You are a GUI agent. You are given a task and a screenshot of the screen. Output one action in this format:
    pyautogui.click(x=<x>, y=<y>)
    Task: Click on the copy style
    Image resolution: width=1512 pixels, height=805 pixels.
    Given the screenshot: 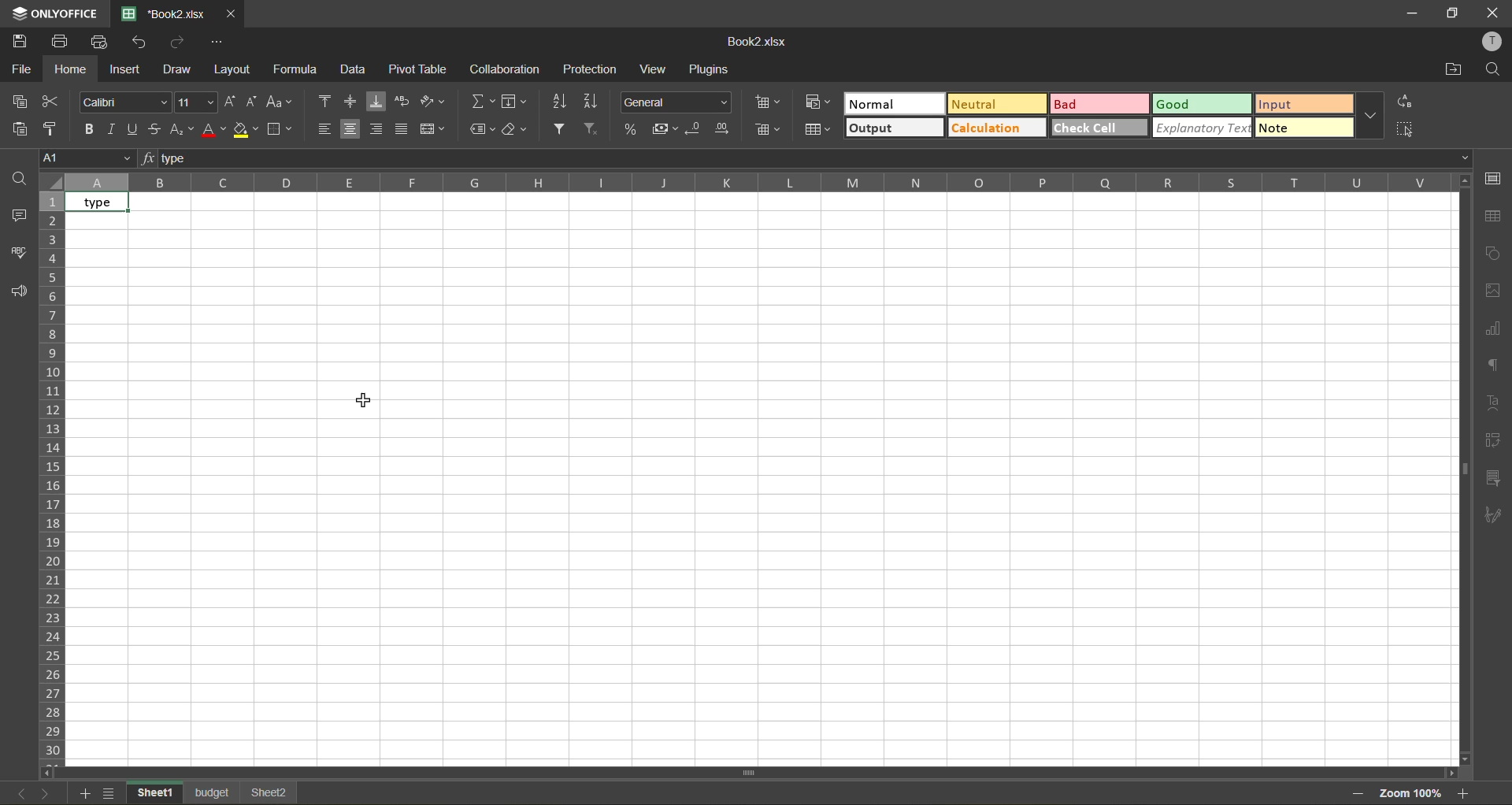 What is the action you would take?
    pyautogui.click(x=55, y=128)
    